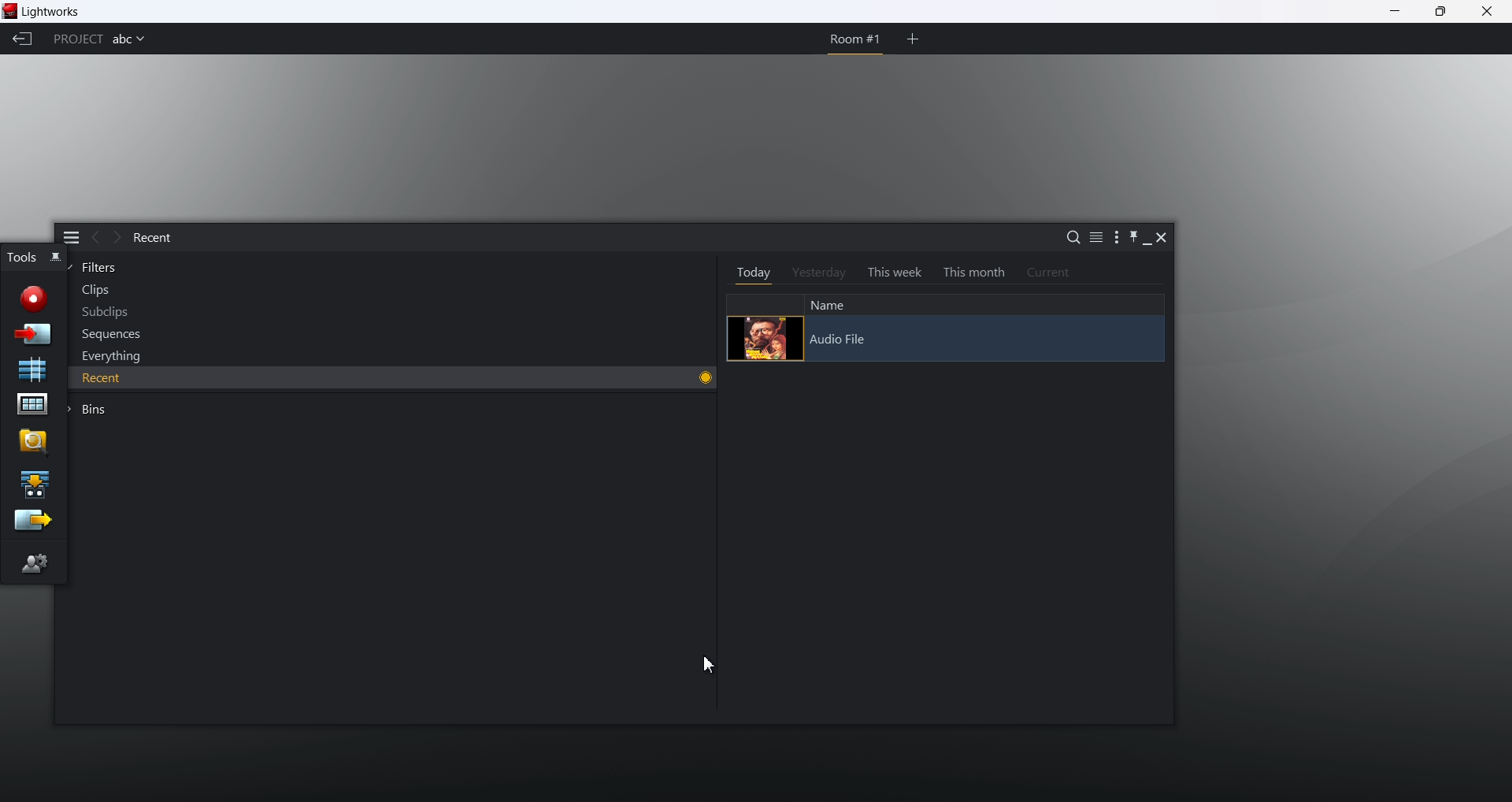 Image resolution: width=1512 pixels, height=802 pixels. I want to click on current, so click(1043, 273).